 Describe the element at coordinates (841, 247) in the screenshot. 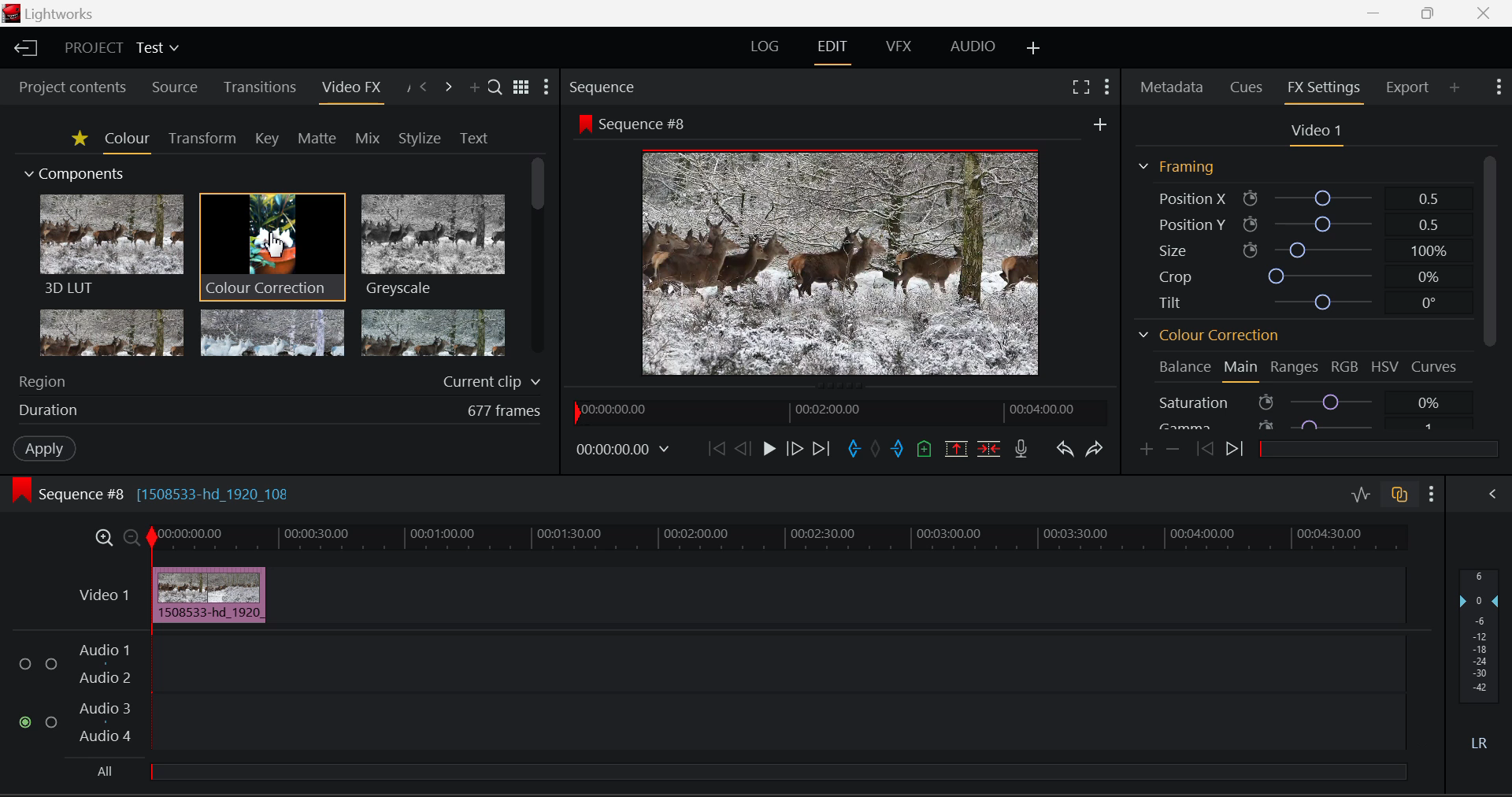

I see `Sequence #8` at that location.